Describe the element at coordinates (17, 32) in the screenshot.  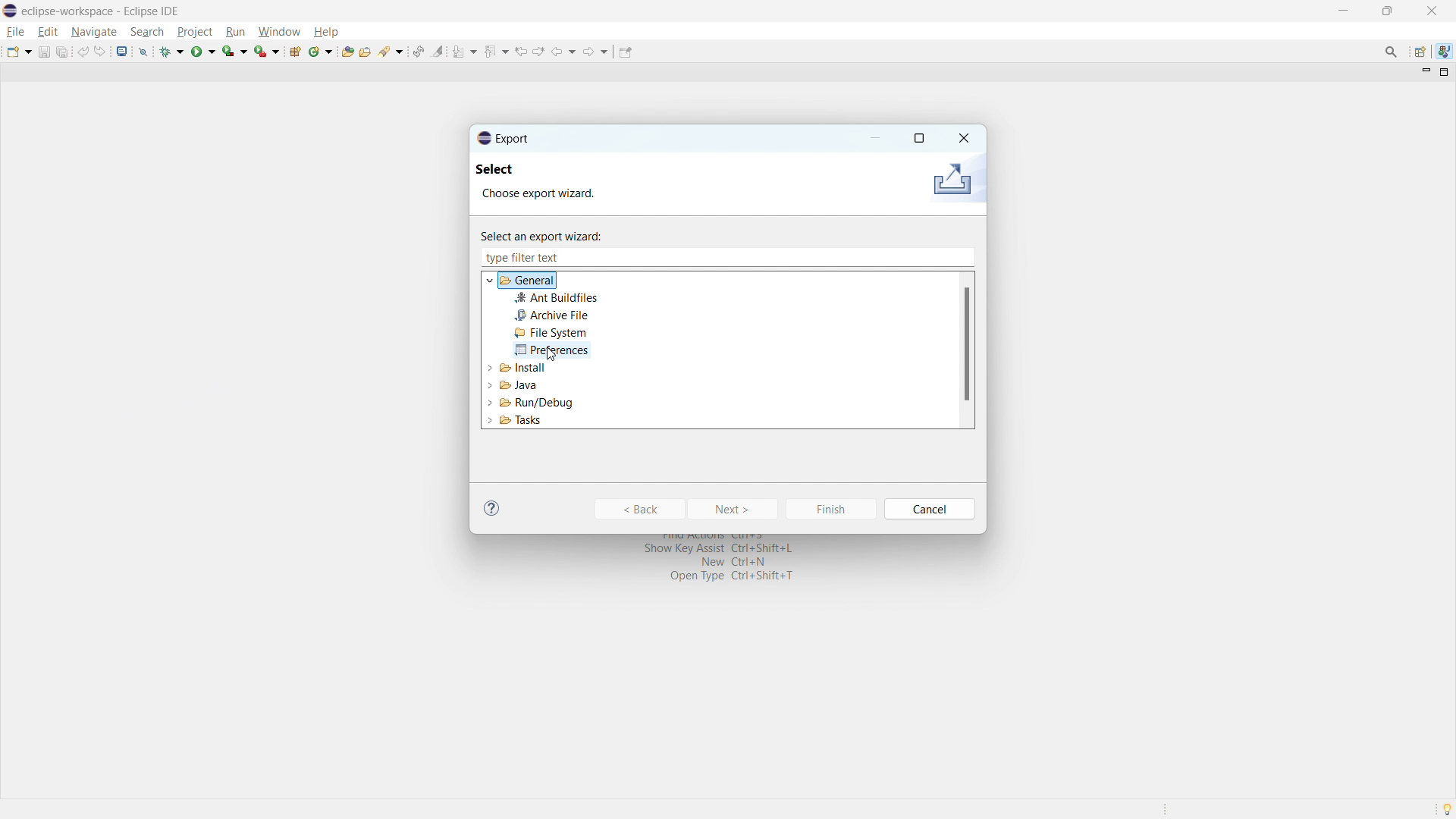
I see `file` at that location.